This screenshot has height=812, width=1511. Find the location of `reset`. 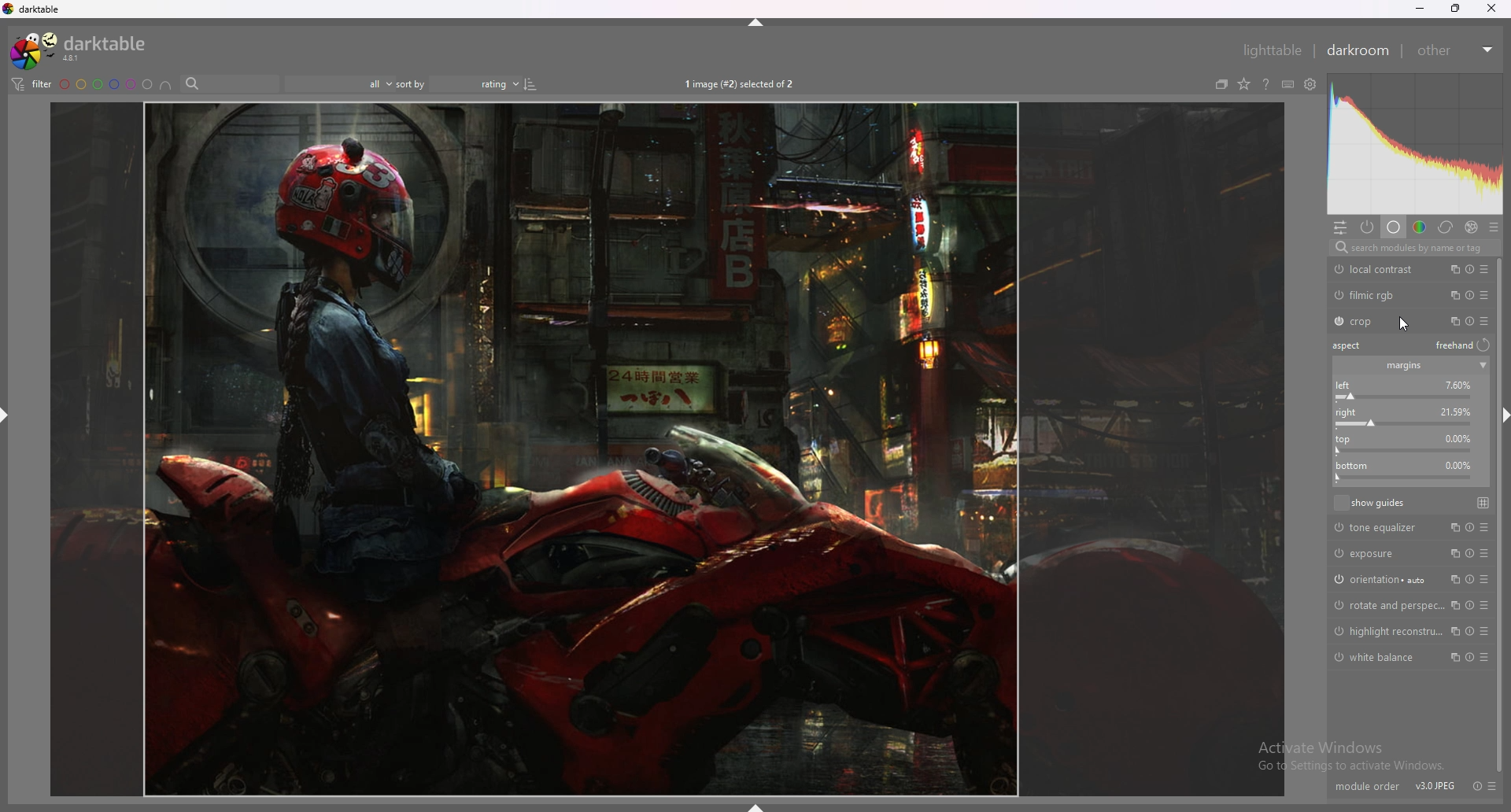

reset is located at coordinates (1471, 269).